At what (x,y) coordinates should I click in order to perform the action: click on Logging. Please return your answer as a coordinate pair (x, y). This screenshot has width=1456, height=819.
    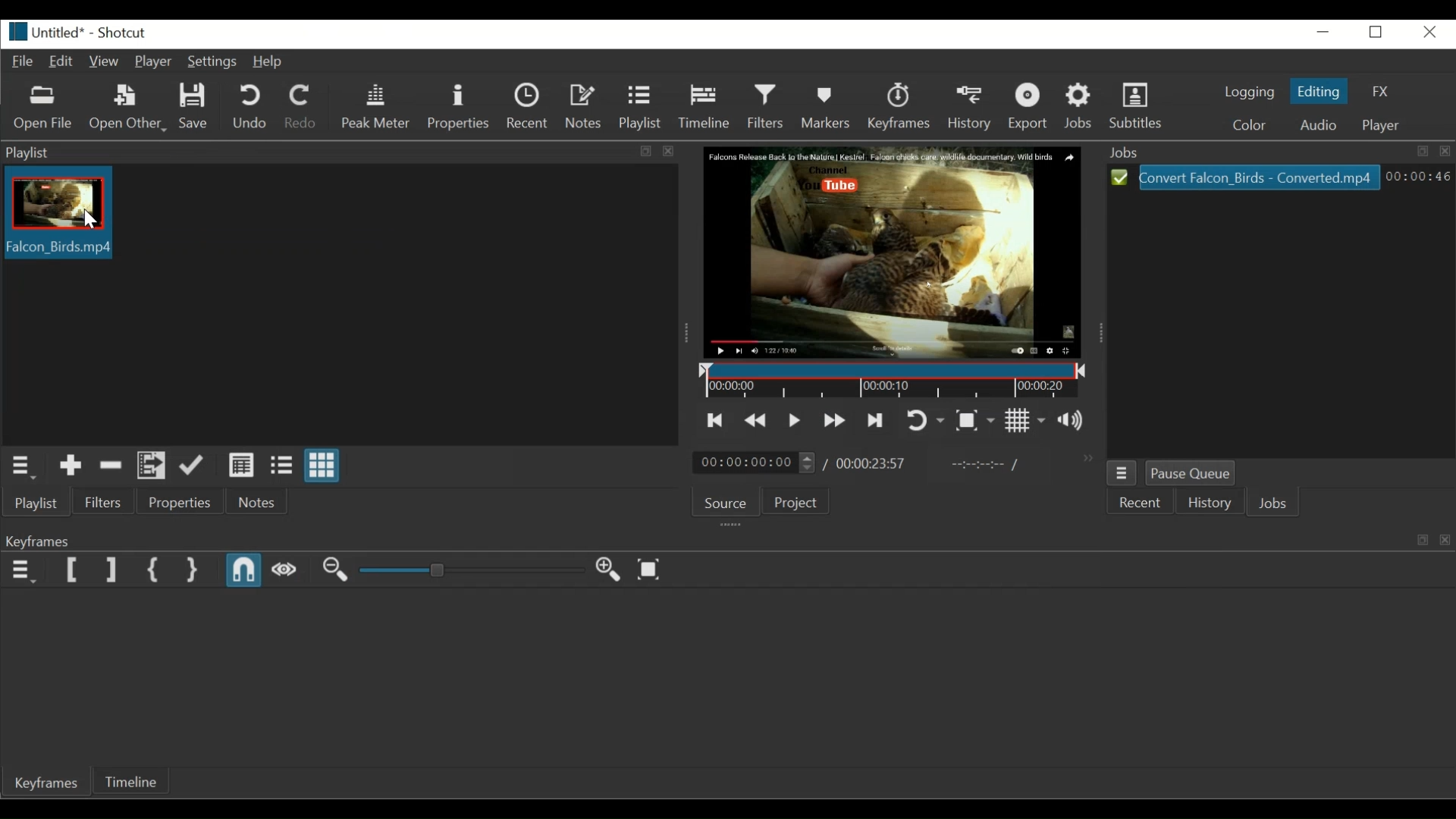
    Looking at the image, I should click on (1245, 94).